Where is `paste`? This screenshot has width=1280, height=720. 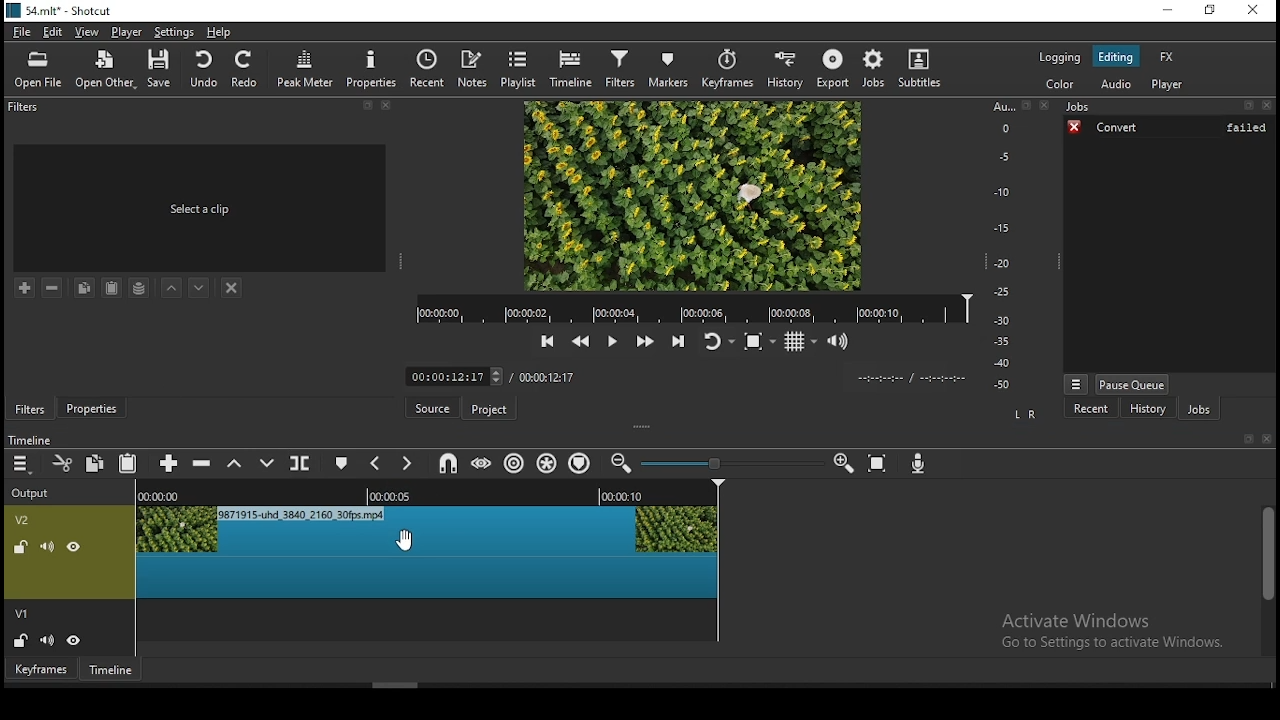
paste is located at coordinates (130, 460).